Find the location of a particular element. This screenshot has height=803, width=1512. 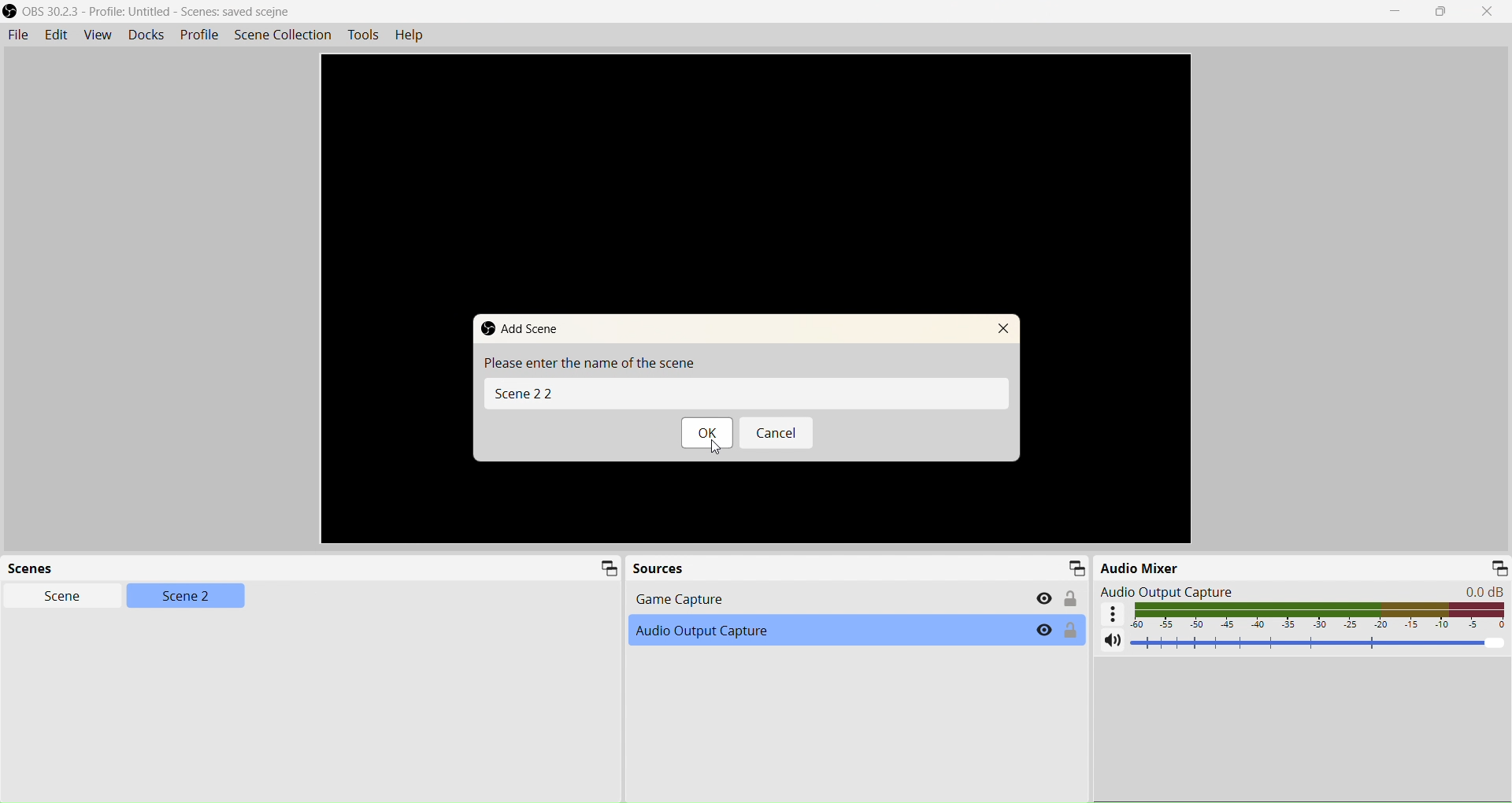

Audio Output Capture is located at coordinates (1303, 591).